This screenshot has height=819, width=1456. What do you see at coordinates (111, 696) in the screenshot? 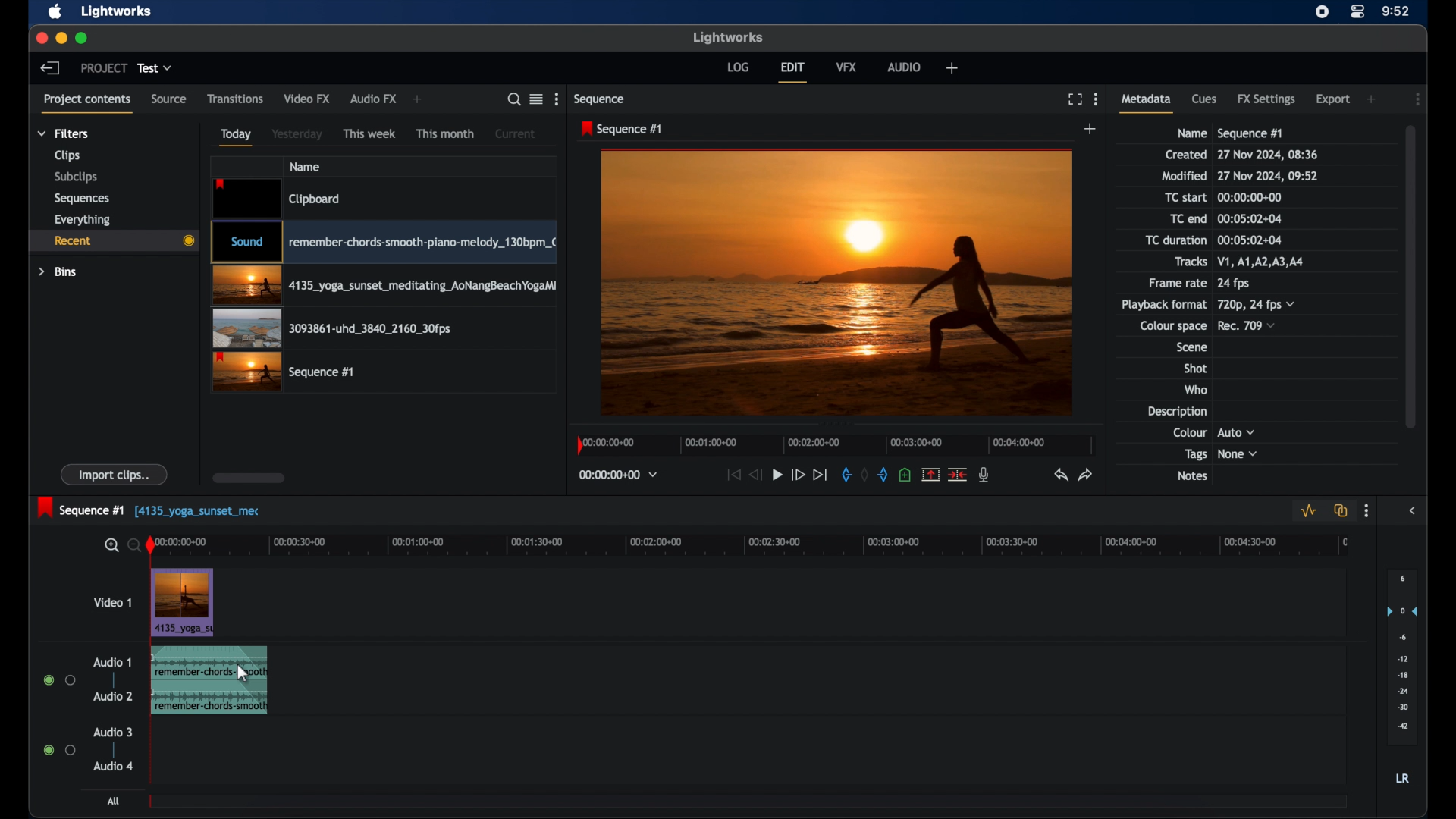
I see `audio 2` at bounding box center [111, 696].